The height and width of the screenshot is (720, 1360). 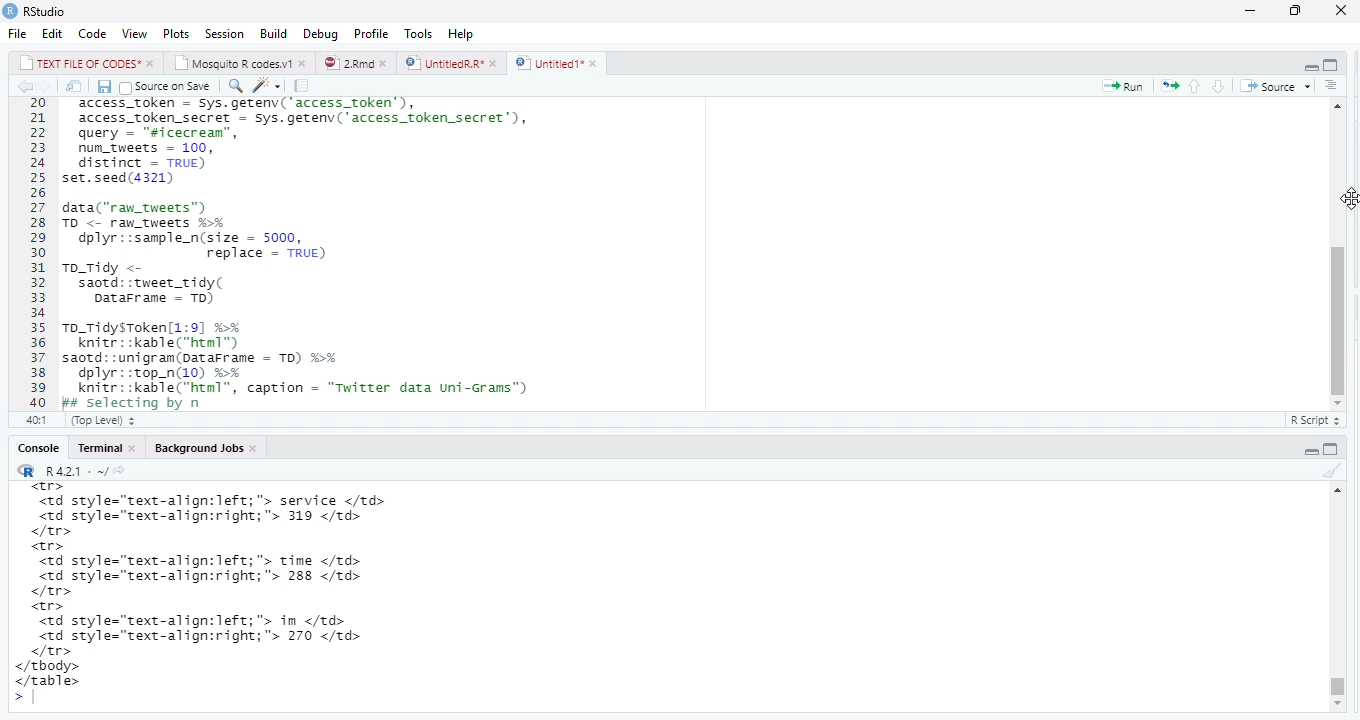 I want to click on Teominal, so click(x=105, y=445).